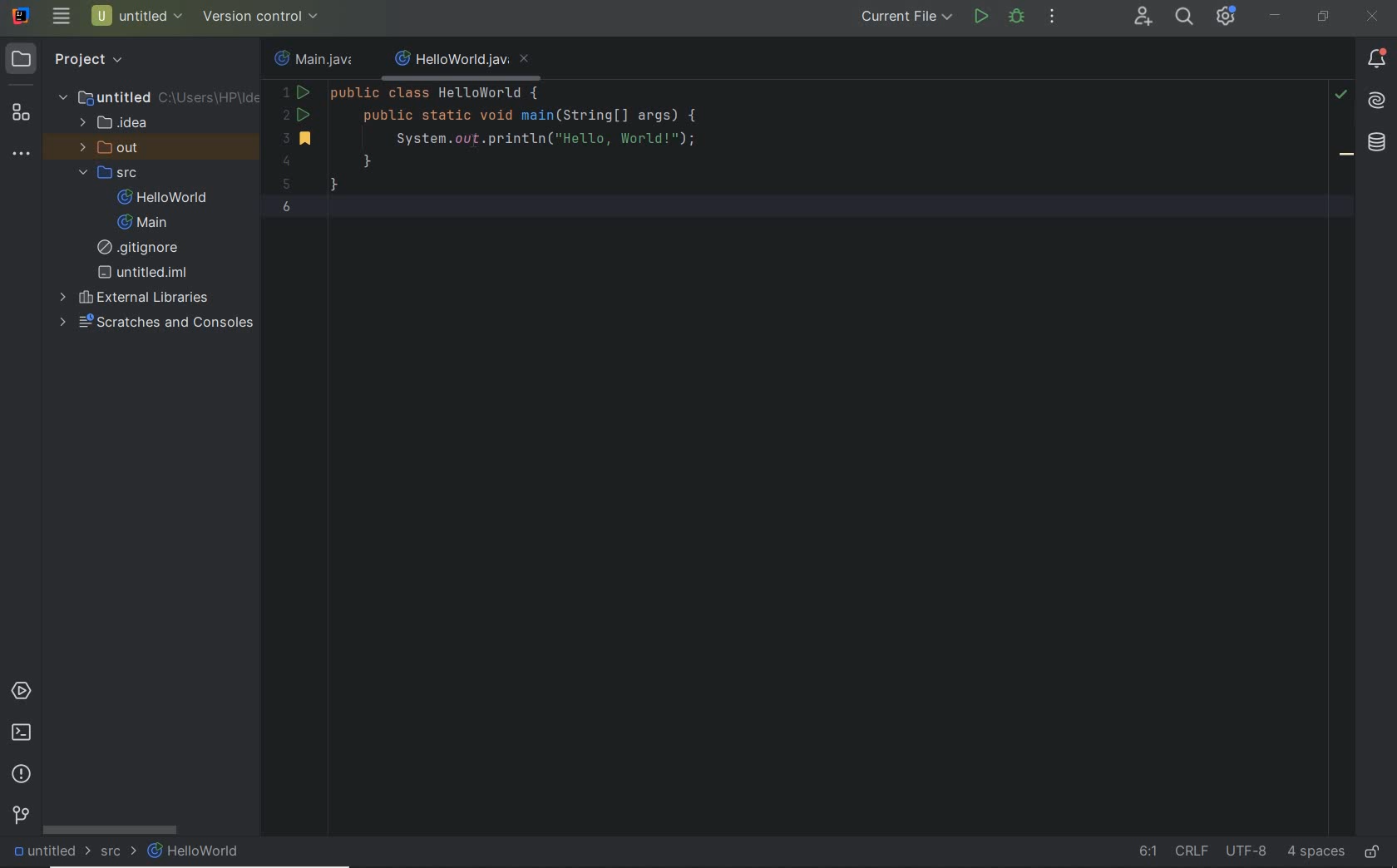  I want to click on untitled.iml, so click(142, 272).